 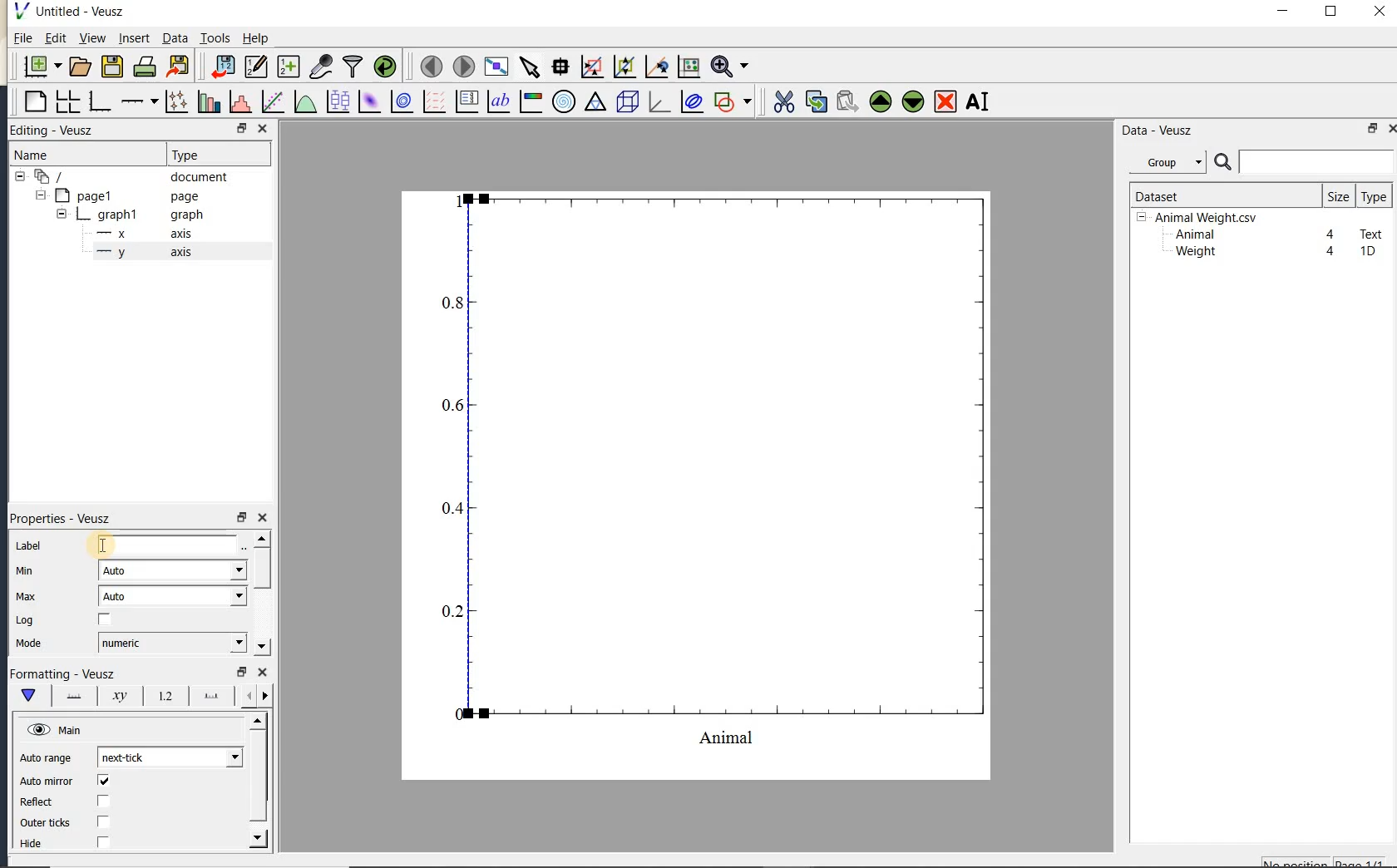 I want to click on major ticks, so click(x=208, y=695).